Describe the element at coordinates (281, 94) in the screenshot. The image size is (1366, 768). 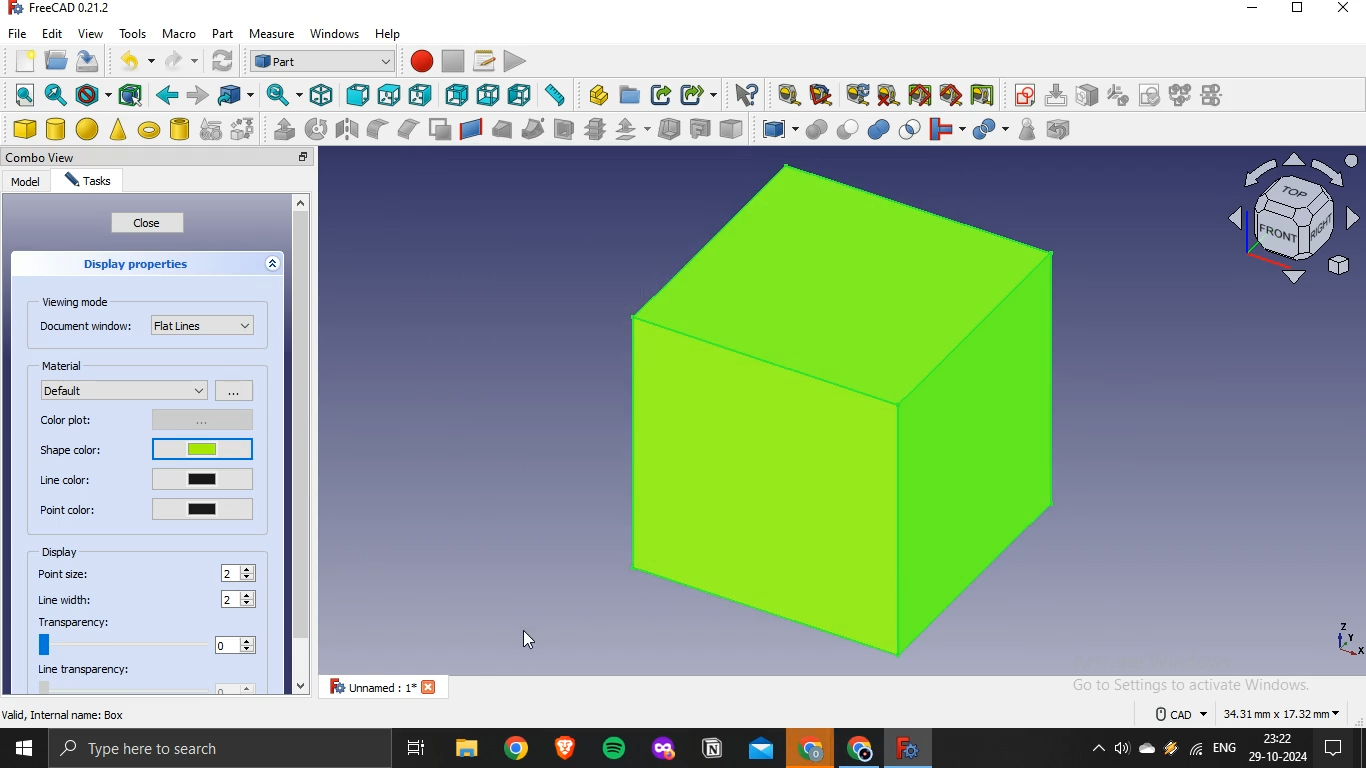
I see `sync view` at that location.